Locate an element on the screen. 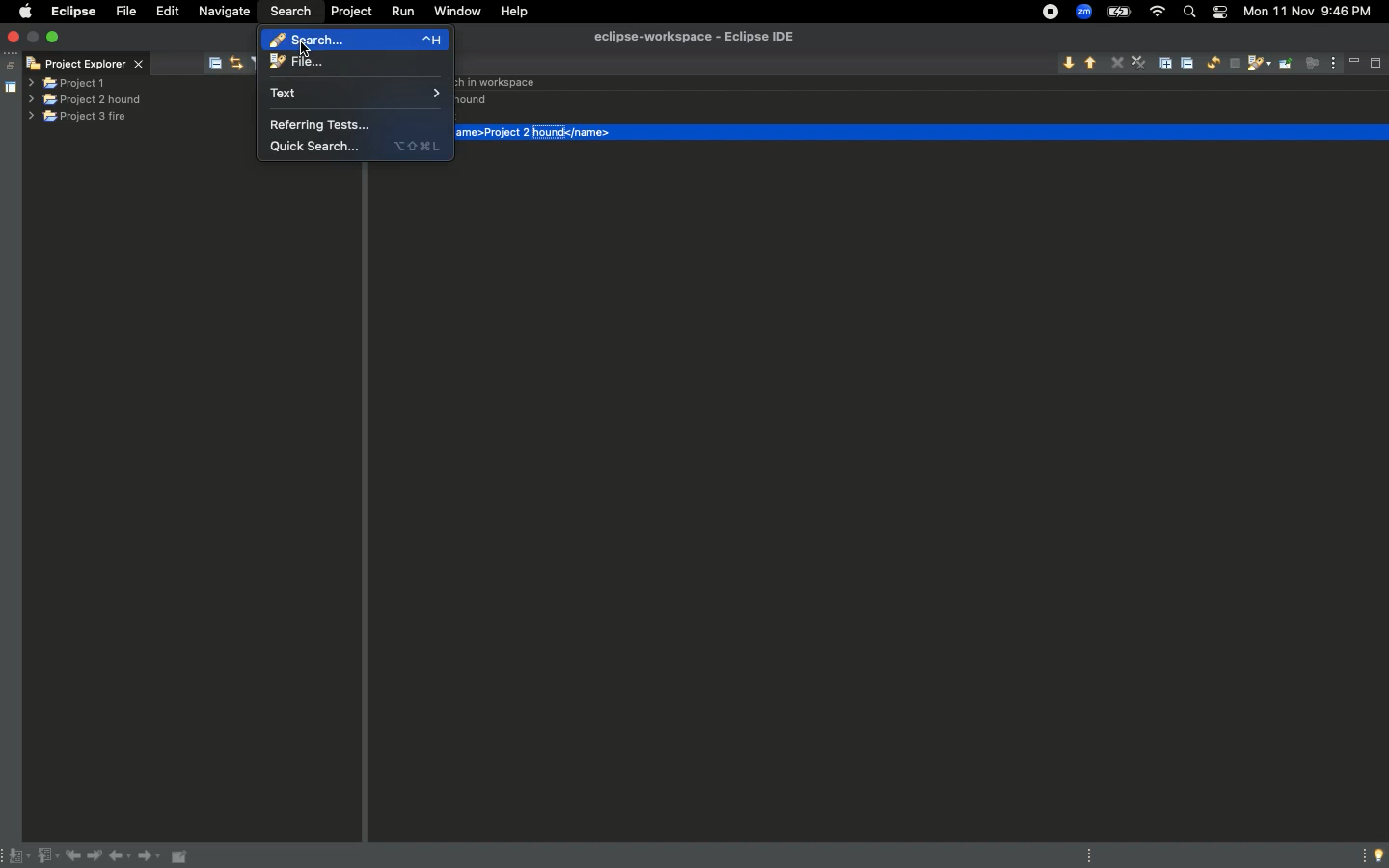 The image size is (1389, 868). Next edit location is located at coordinates (96, 856).